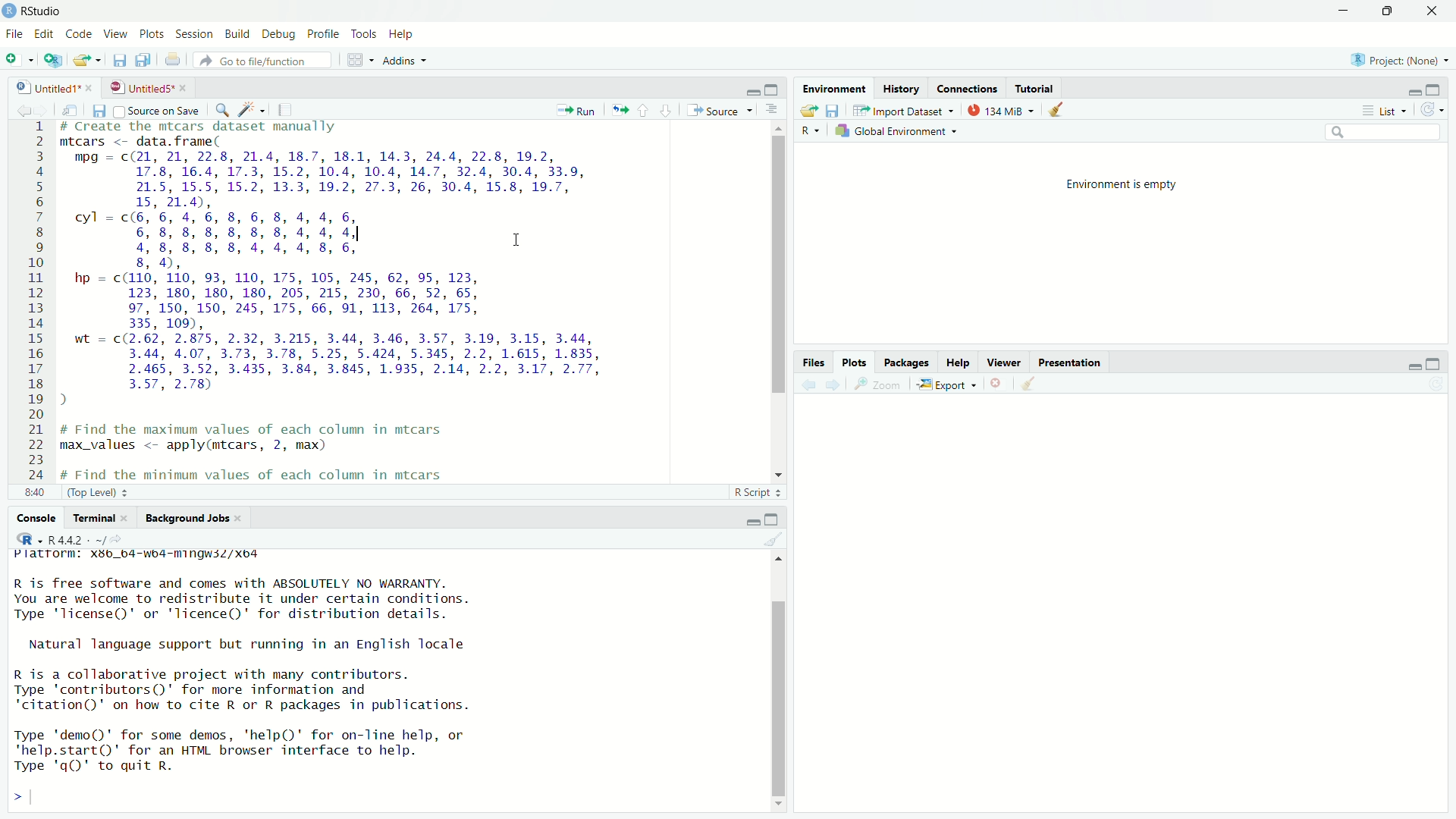 The height and width of the screenshot is (819, 1456). I want to click on spark, so click(253, 111).